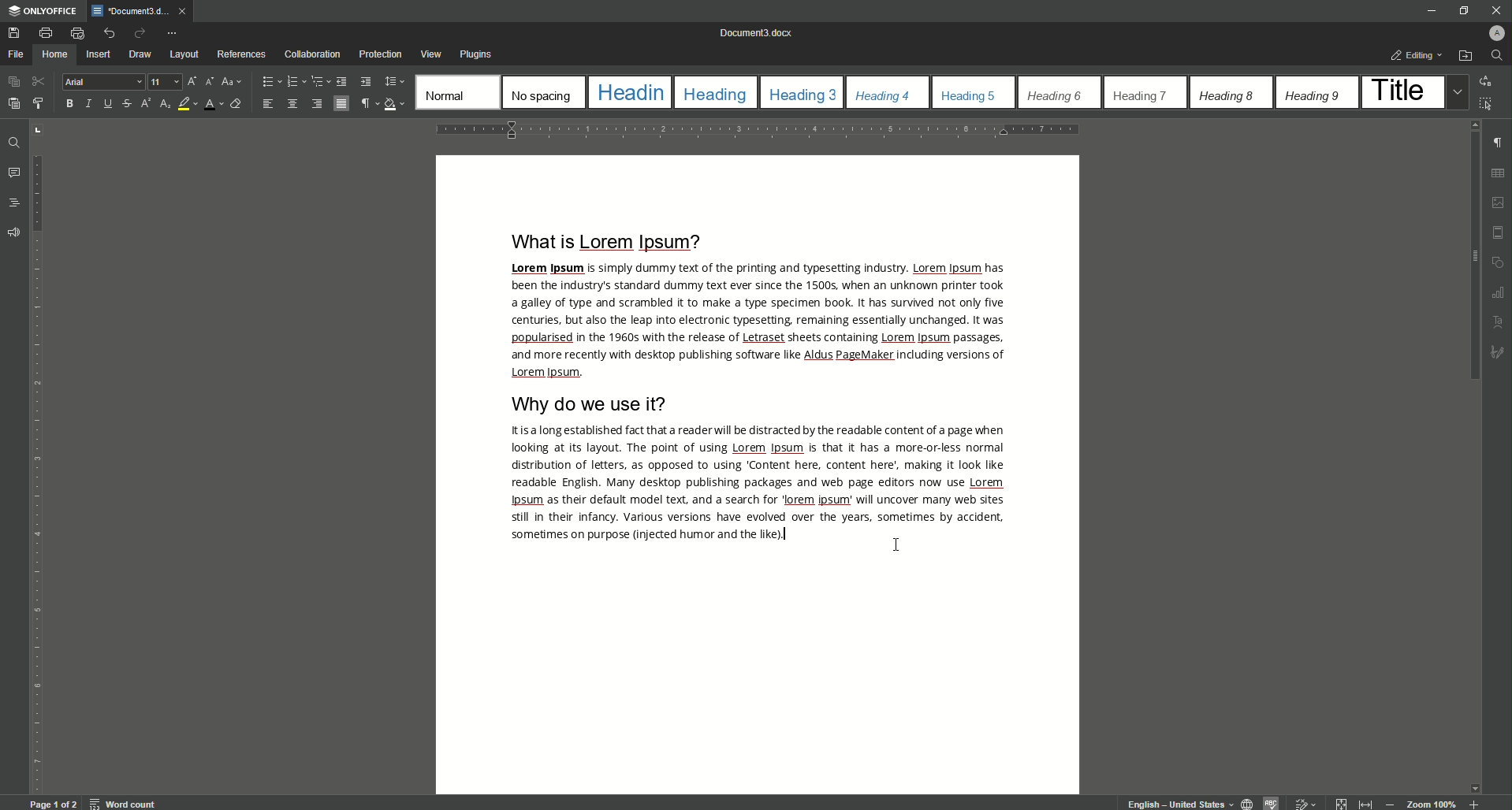 This screenshot has width=1512, height=810. Describe the element at coordinates (240, 55) in the screenshot. I see `References` at that location.